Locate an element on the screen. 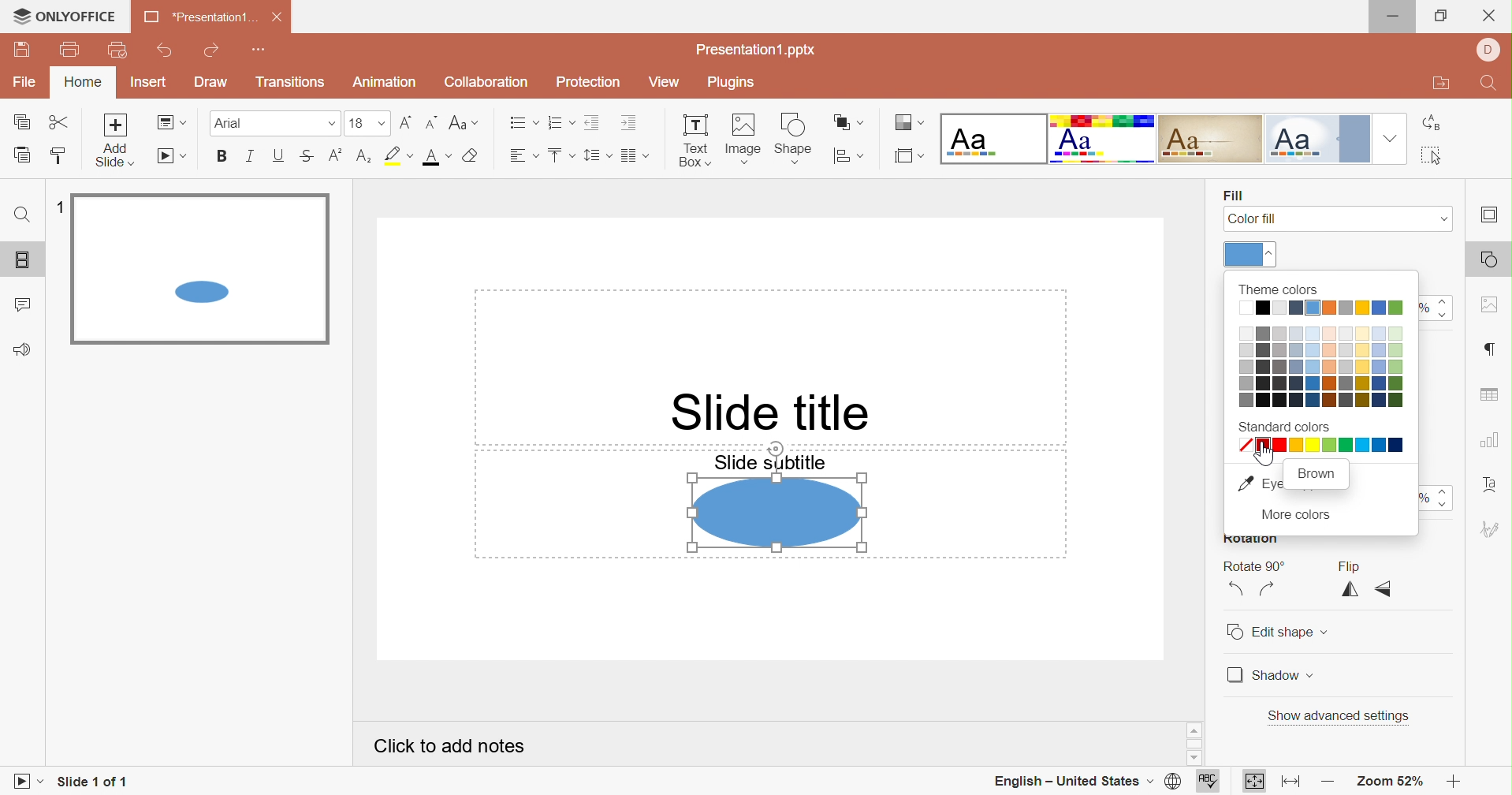 The height and width of the screenshot is (795, 1512). Feedback & Support is located at coordinates (27, 349).